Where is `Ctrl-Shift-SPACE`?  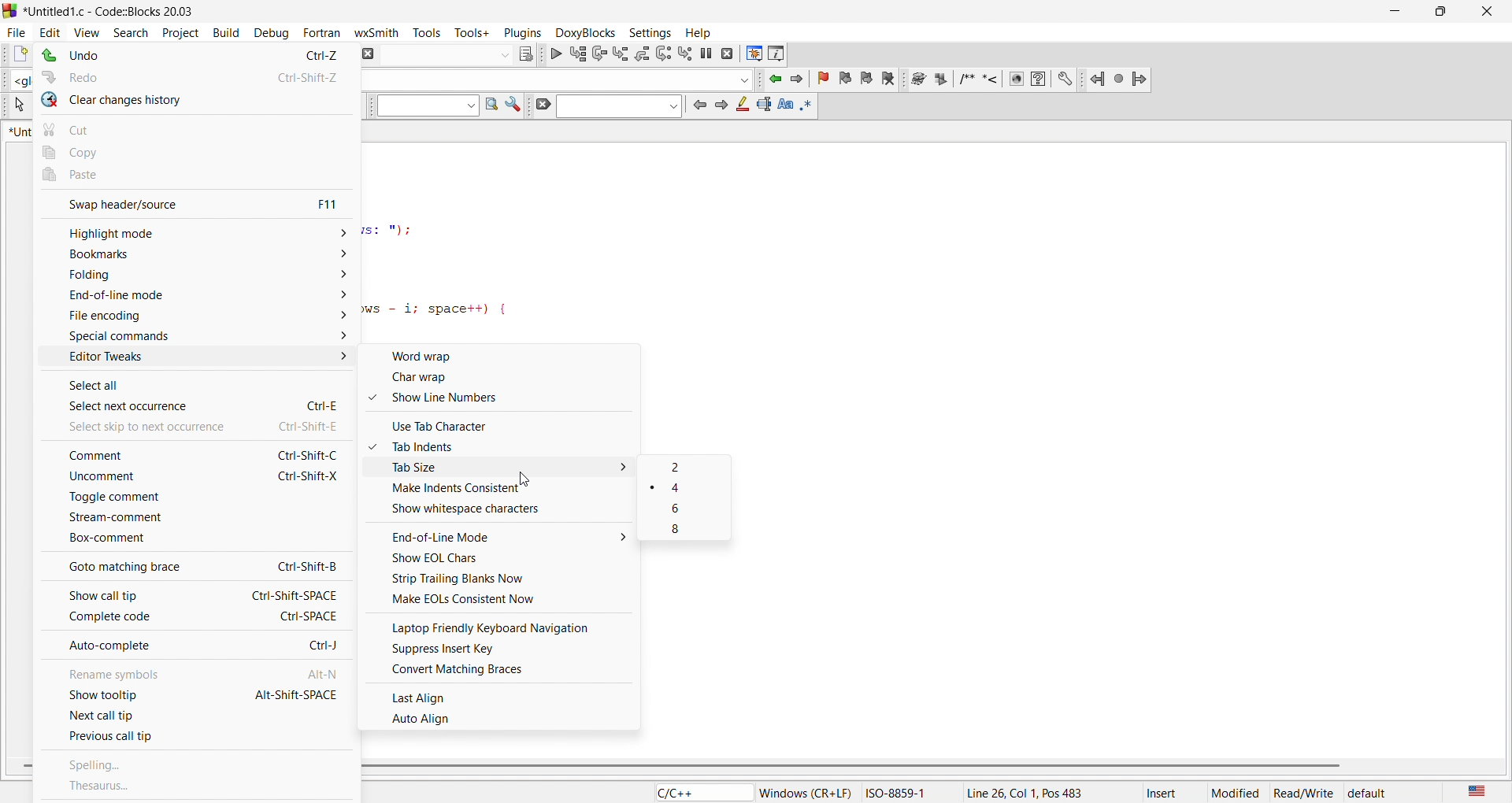
Ctrl-Shift-SPACE is located at coordinates (295, 594).